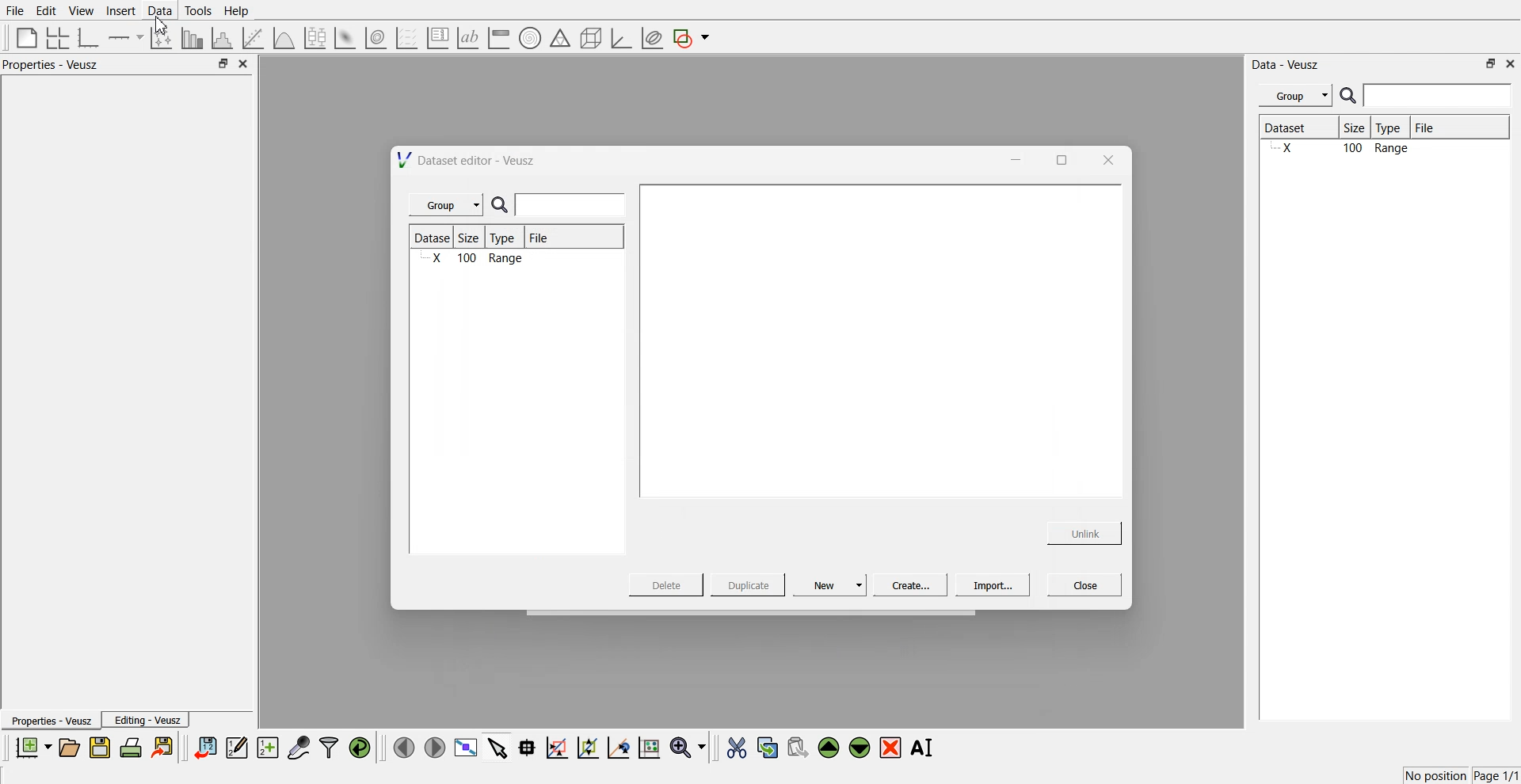  I want to click on Data - Veusz, so click(1287, 65).